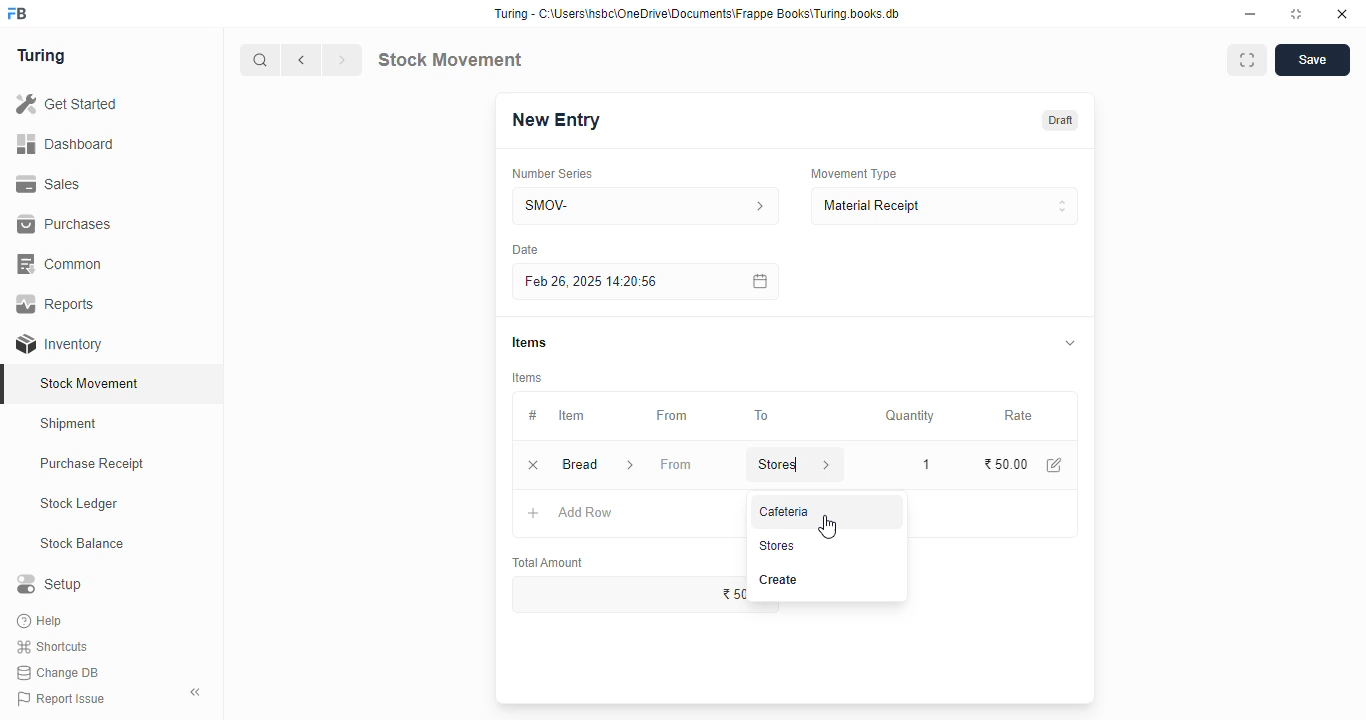 The image size is (1366, 720). Describe the element at coordinates (92, 463) in the screenshot. I see `purchase receipt` at that location.